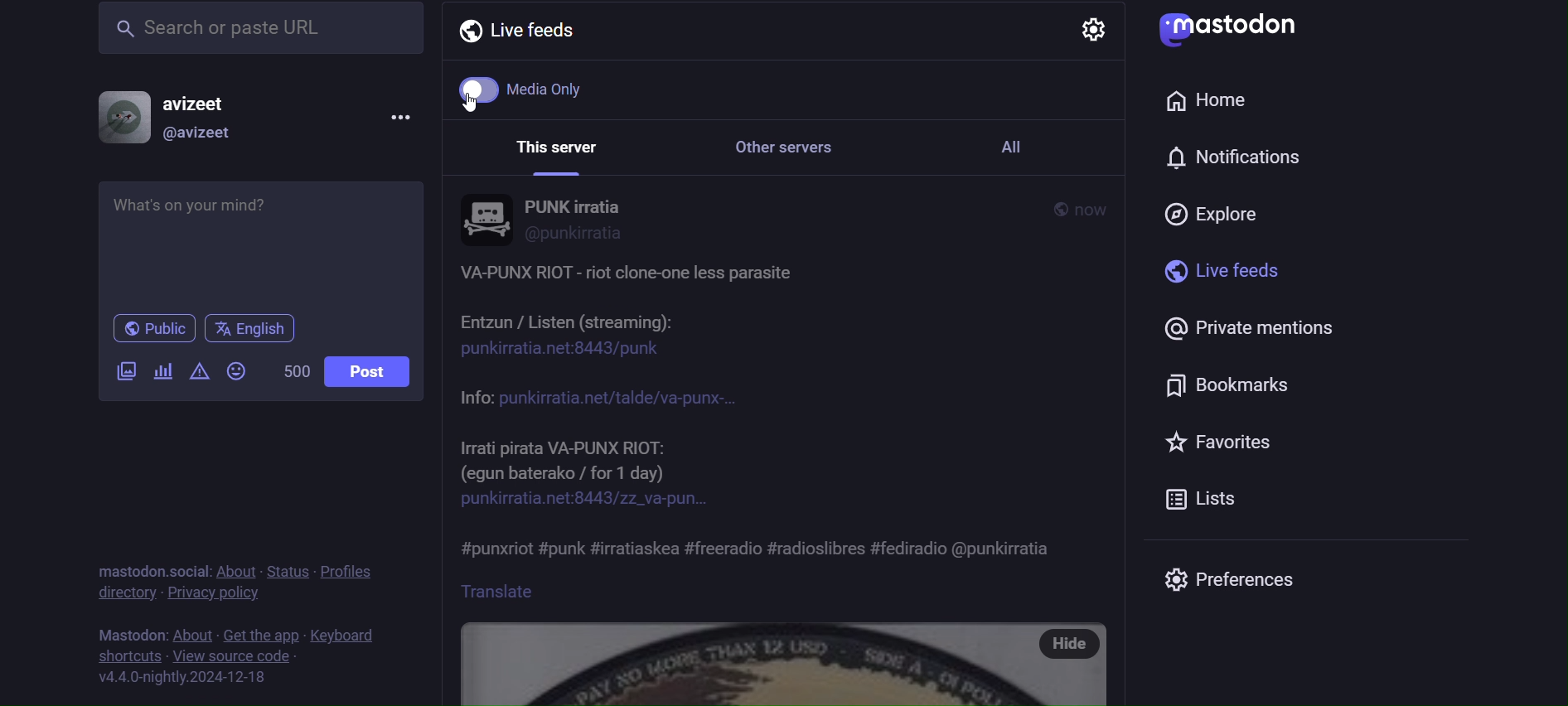  I want to click on image, so click(742, 663).